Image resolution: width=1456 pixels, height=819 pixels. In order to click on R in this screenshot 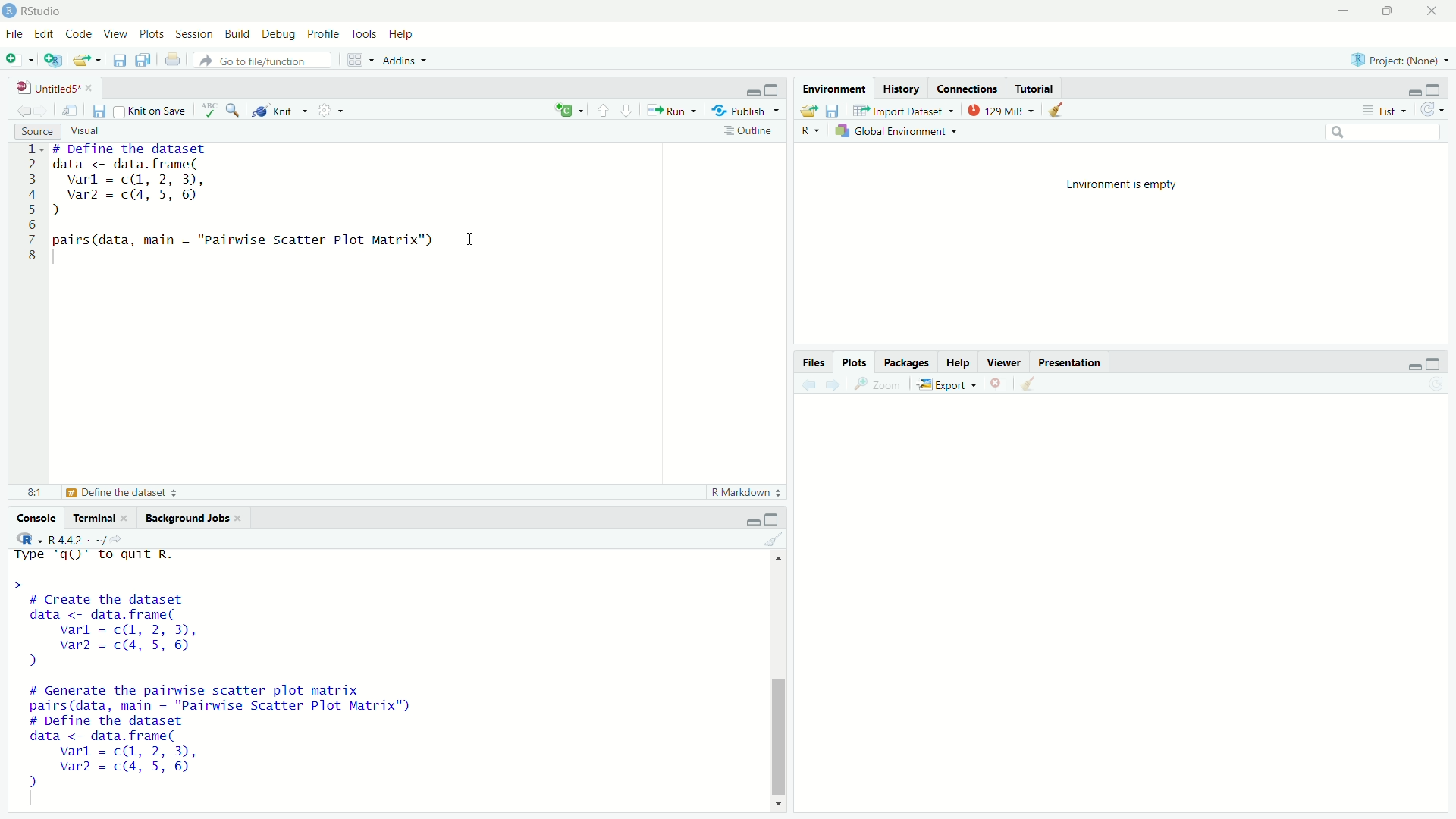, I will do `click(809, 131)`.